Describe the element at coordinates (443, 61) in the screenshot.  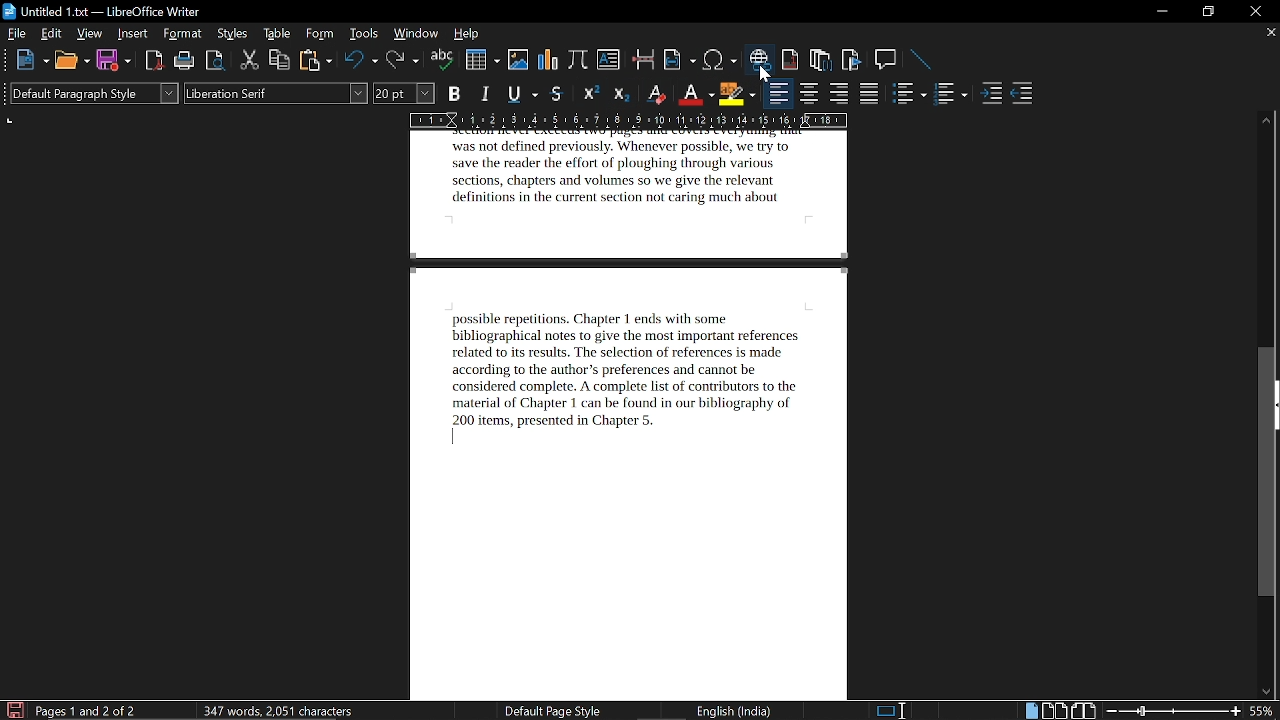
I see `spelling` at that location.